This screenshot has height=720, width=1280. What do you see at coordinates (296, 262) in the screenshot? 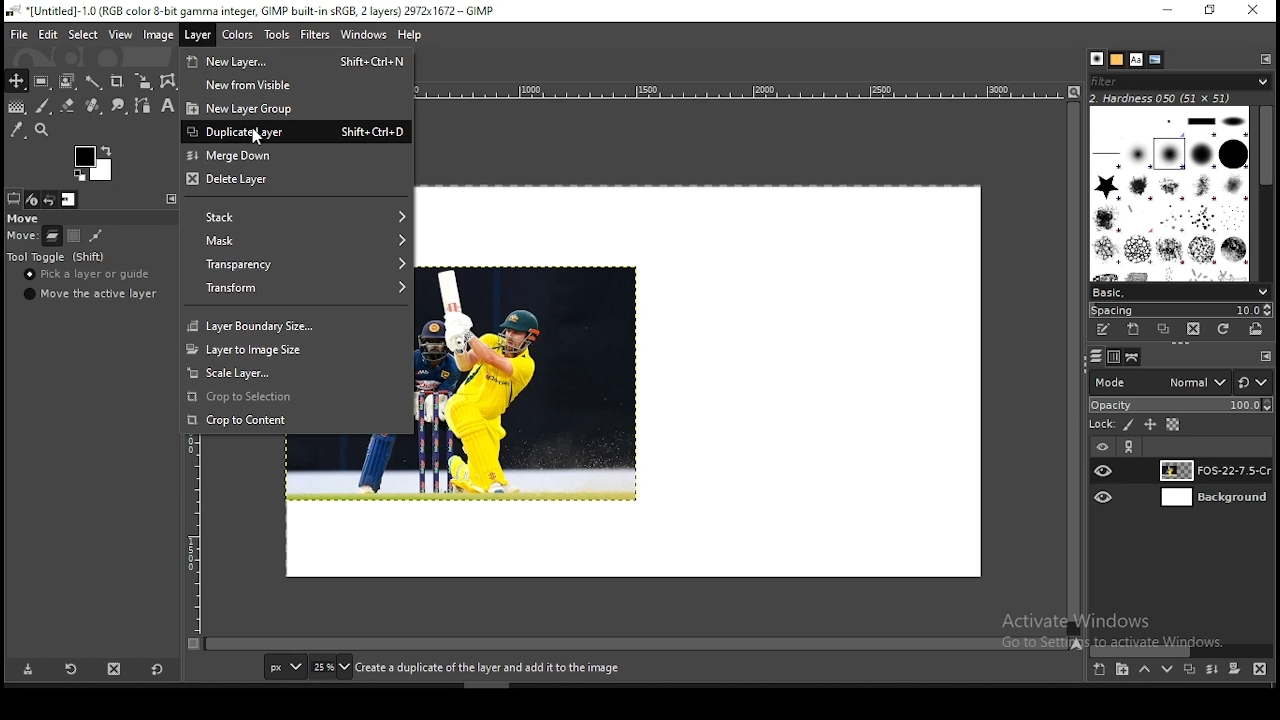
I see `transperancy` at bounding box center [296, 262].